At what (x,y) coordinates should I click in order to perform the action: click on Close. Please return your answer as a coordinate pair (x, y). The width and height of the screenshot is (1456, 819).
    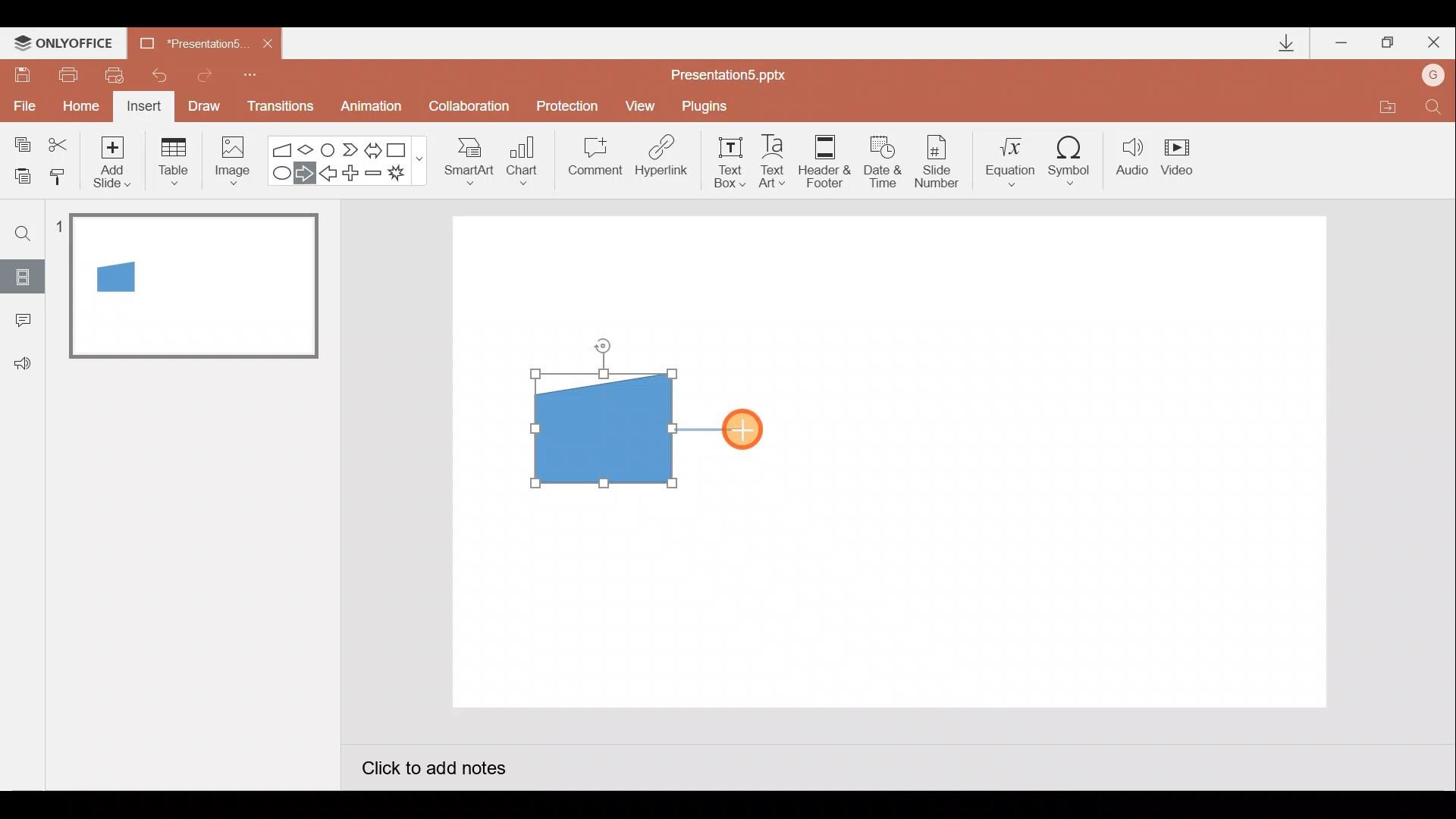
    Looking at the image, I should click on (1434, 45).